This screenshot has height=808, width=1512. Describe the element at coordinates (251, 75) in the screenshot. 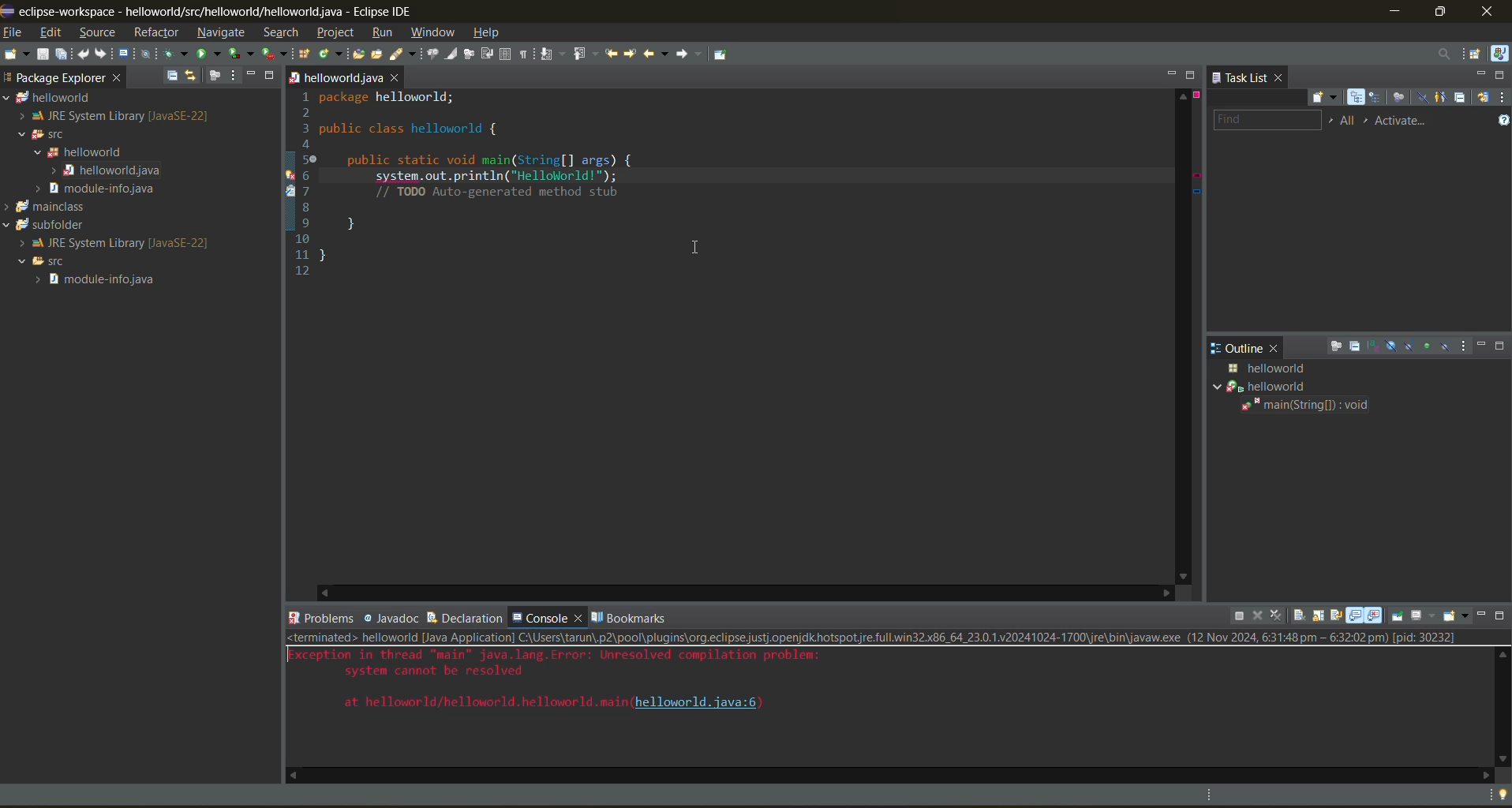

I see `minimize` at that location.